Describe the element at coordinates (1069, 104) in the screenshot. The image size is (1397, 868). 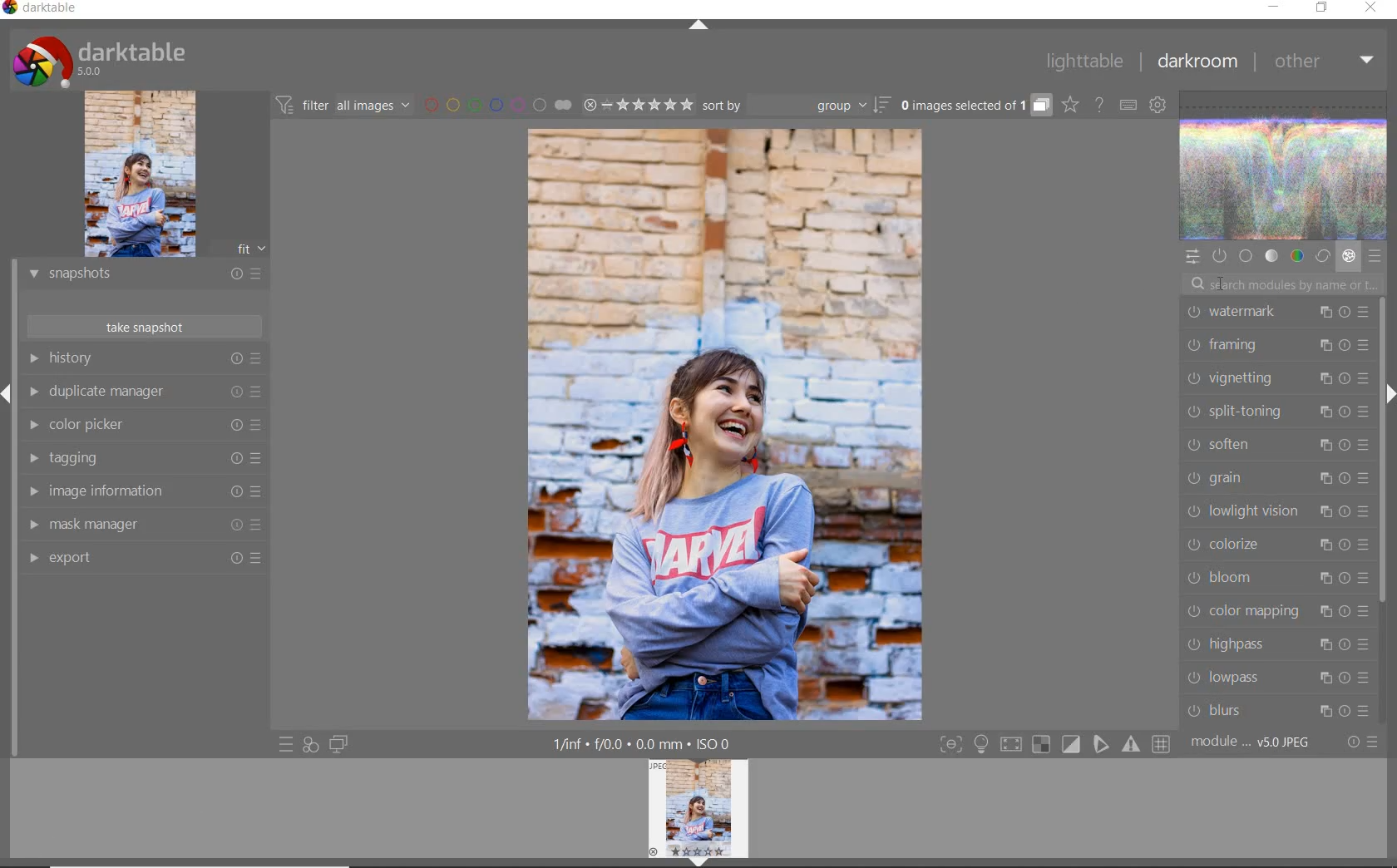
I see `click to change overlays on thumbnails` at that location.